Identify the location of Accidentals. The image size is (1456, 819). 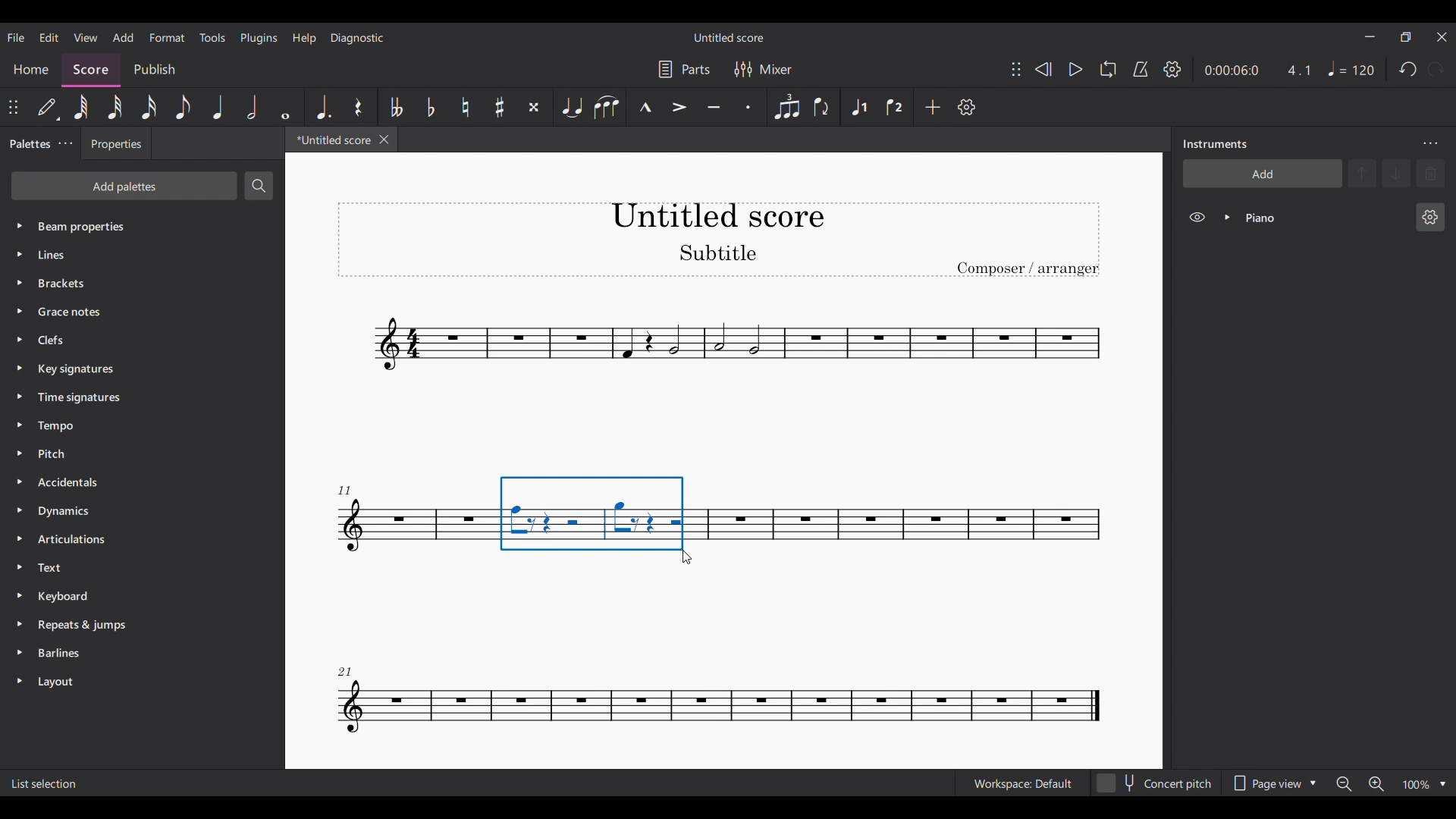
(127, 483).